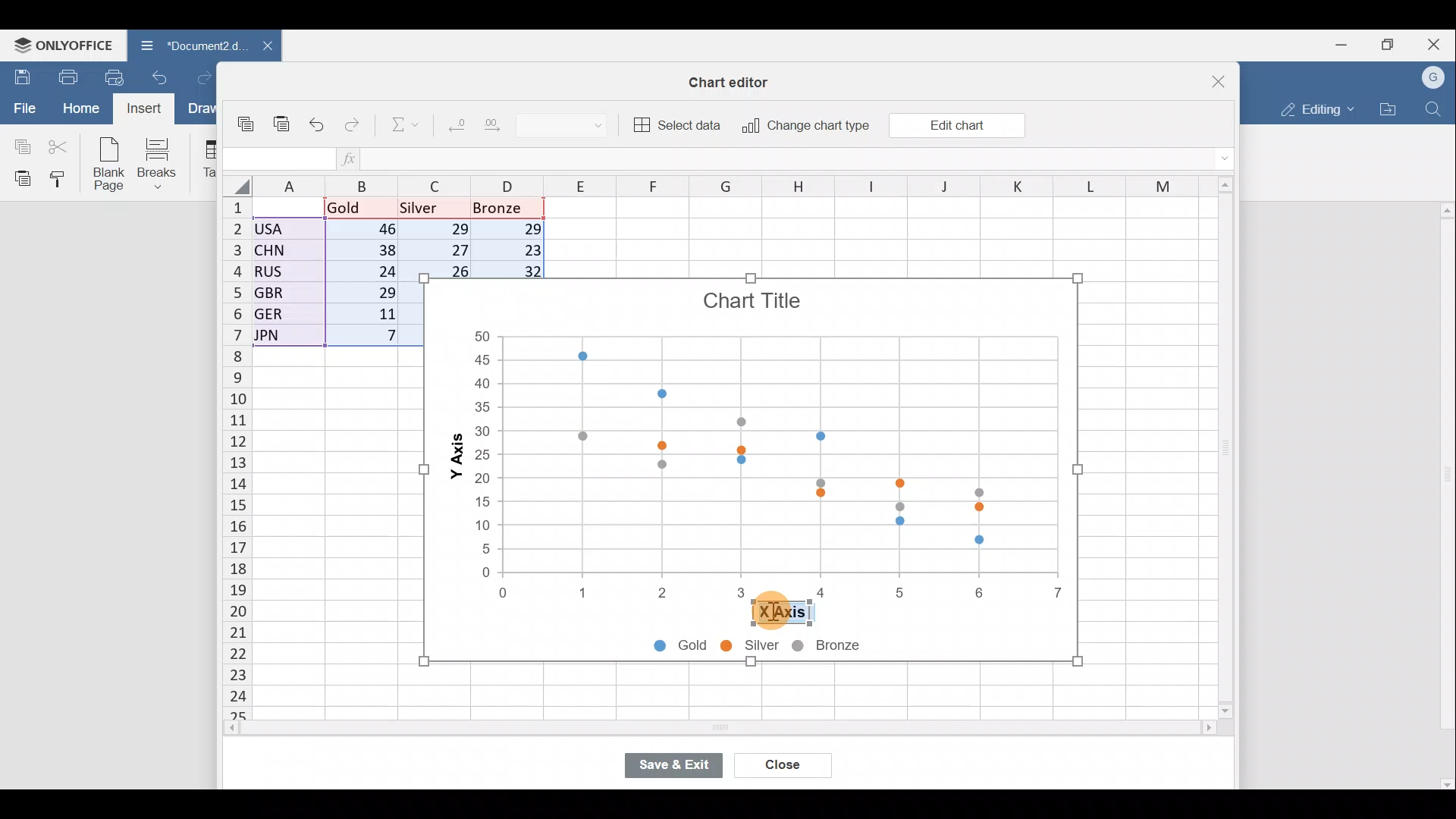 This screenshot has height=819, width=1456. I want to click on Formula bar, so click(791, 160).